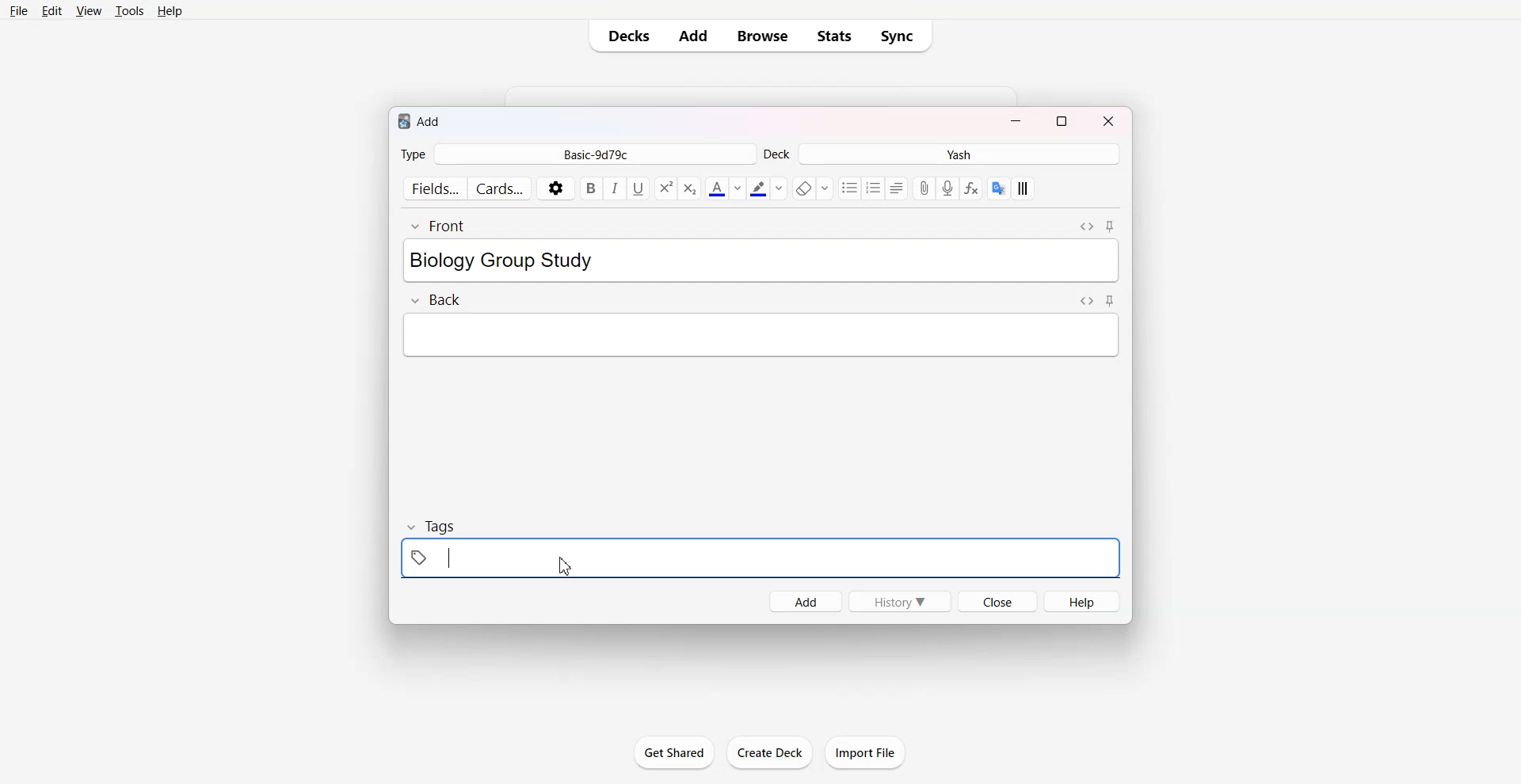  I want to click on History, so click(901, 601).